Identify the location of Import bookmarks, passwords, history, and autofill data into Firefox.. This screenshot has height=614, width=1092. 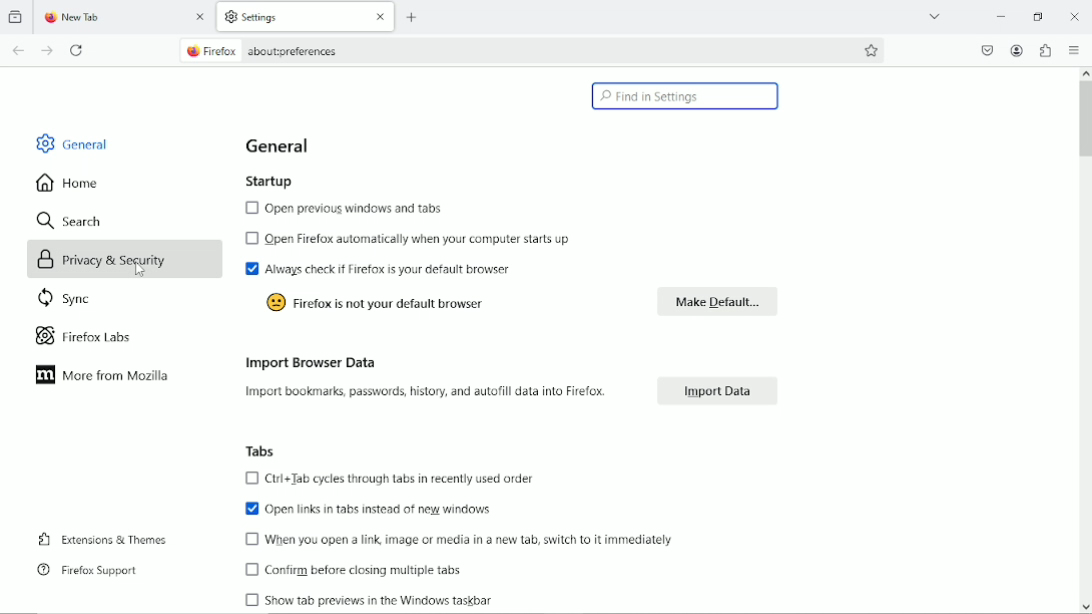
(439, 392).